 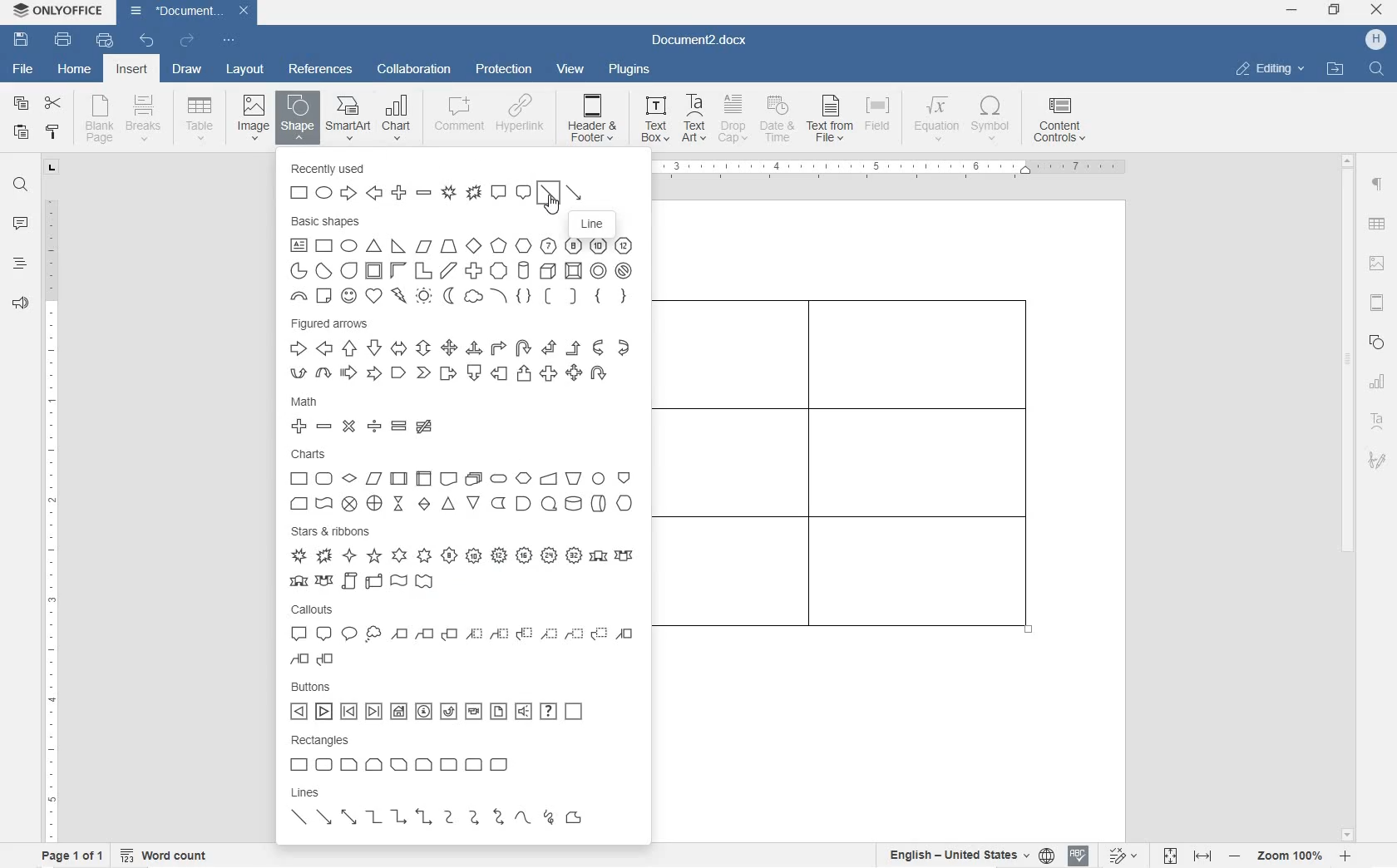 I want to click on CHART, so click(x=397, y=116).